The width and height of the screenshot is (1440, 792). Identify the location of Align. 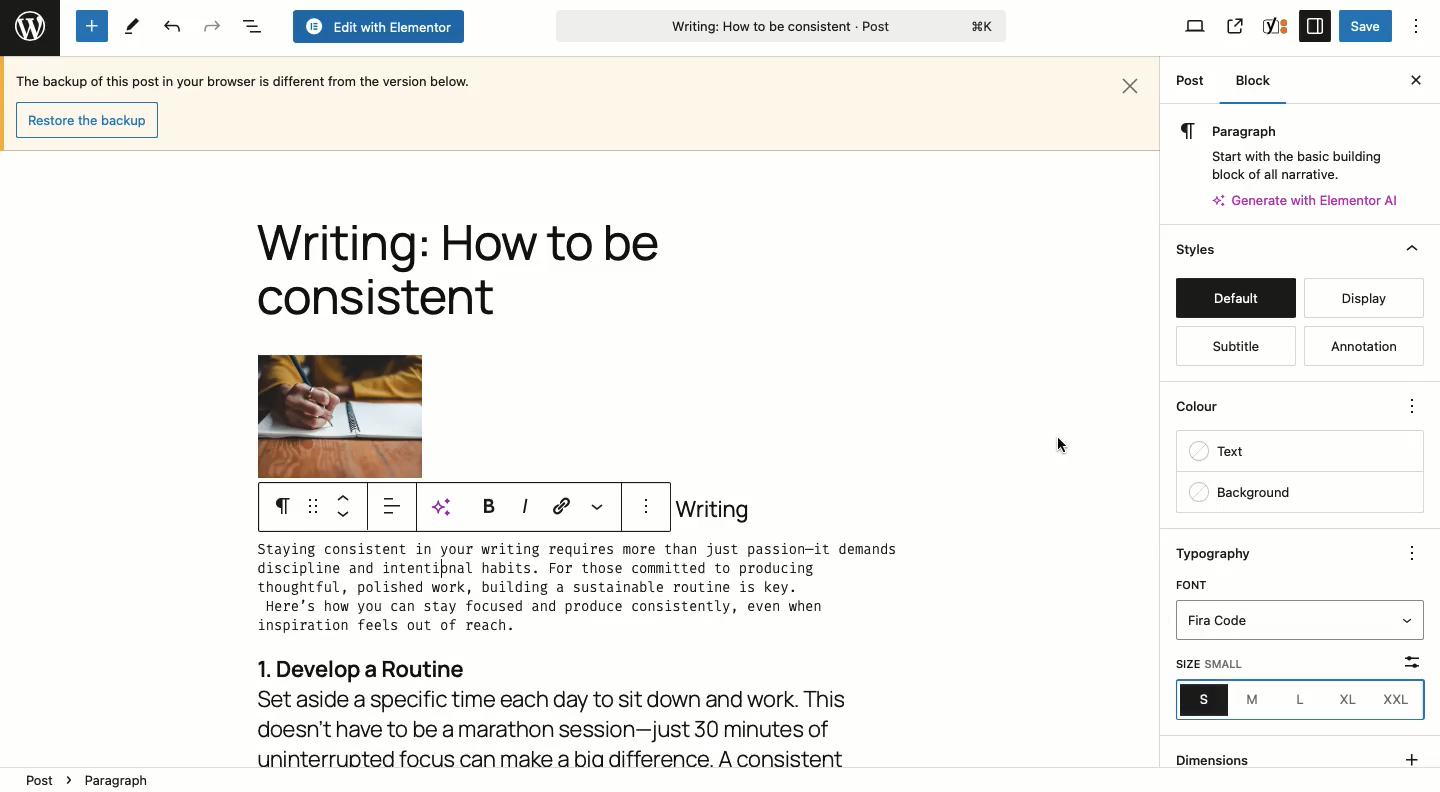
(395, 510).